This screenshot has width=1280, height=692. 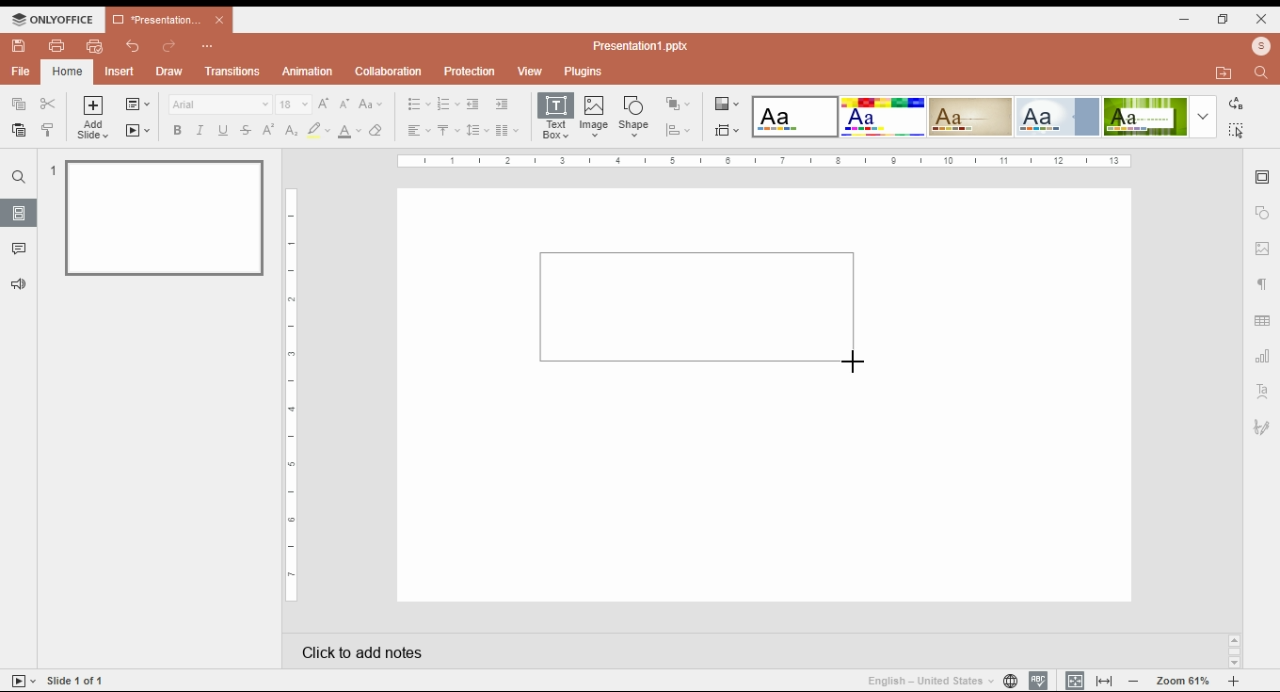 What do you see at coordinates (18, 177) in the screenshot?
I see `find` at bounding box center [18, 177].